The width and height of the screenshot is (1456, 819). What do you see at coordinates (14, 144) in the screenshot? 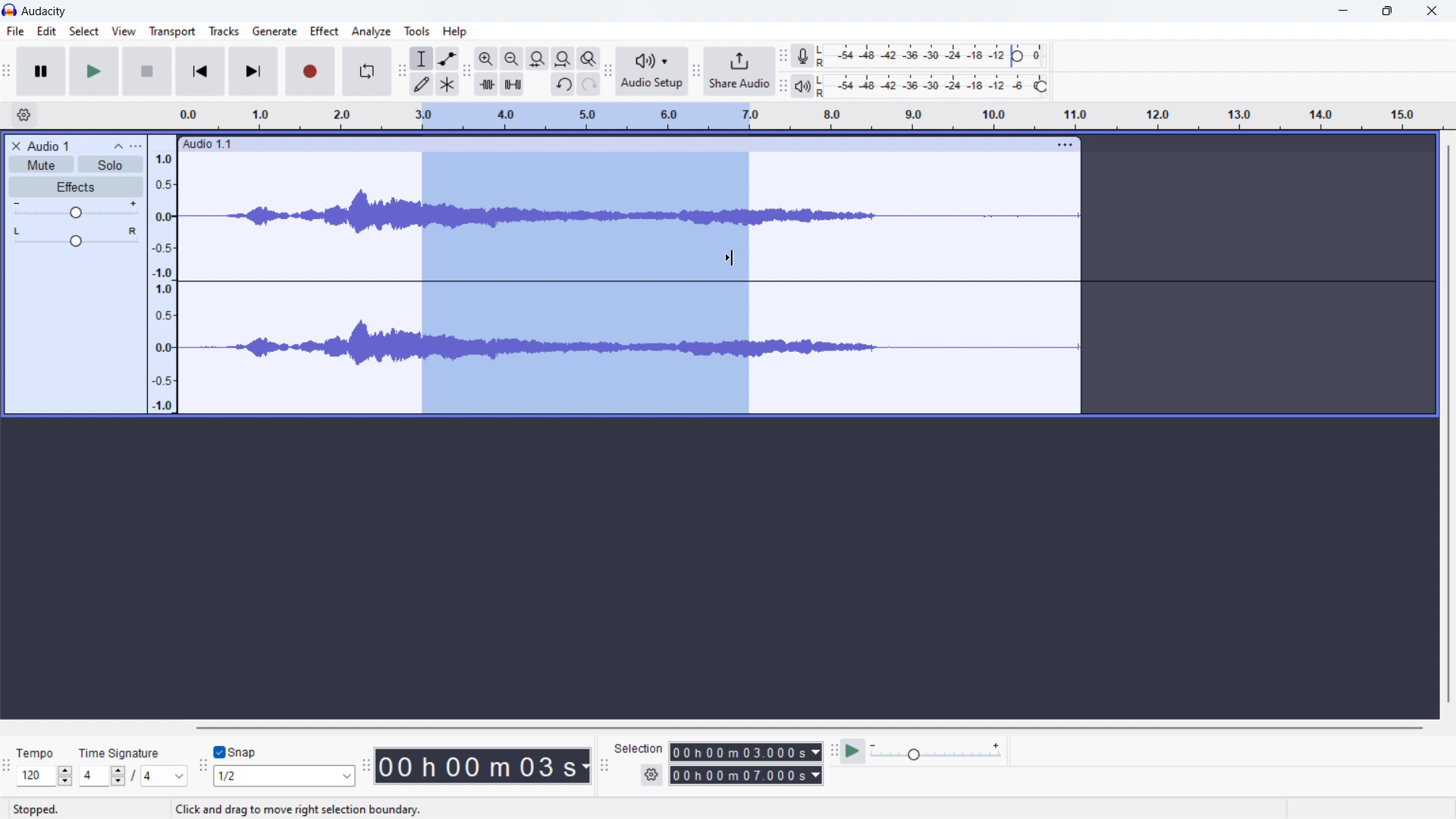
I see `close audio` at bounding box center [14, 144].